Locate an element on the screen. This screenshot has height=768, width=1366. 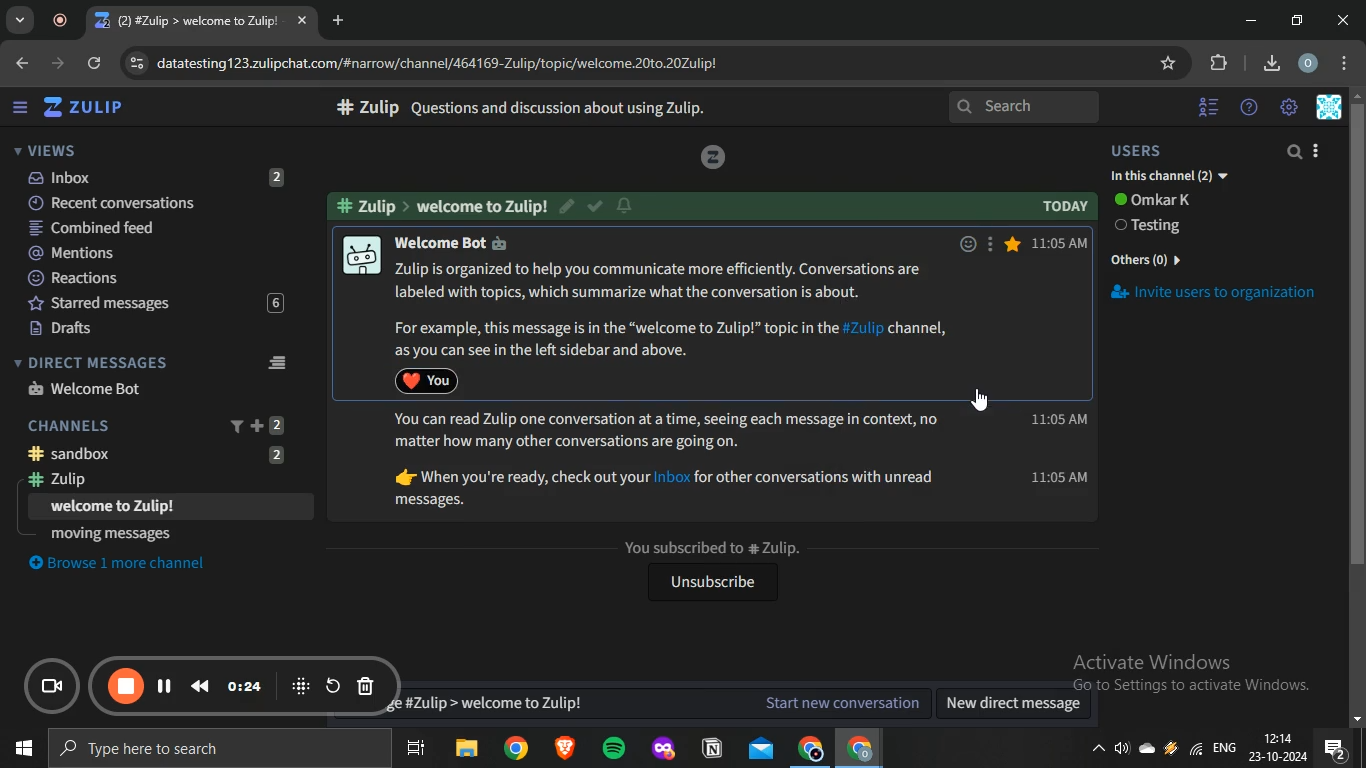
combined feed is located at coordinates (155, 229).